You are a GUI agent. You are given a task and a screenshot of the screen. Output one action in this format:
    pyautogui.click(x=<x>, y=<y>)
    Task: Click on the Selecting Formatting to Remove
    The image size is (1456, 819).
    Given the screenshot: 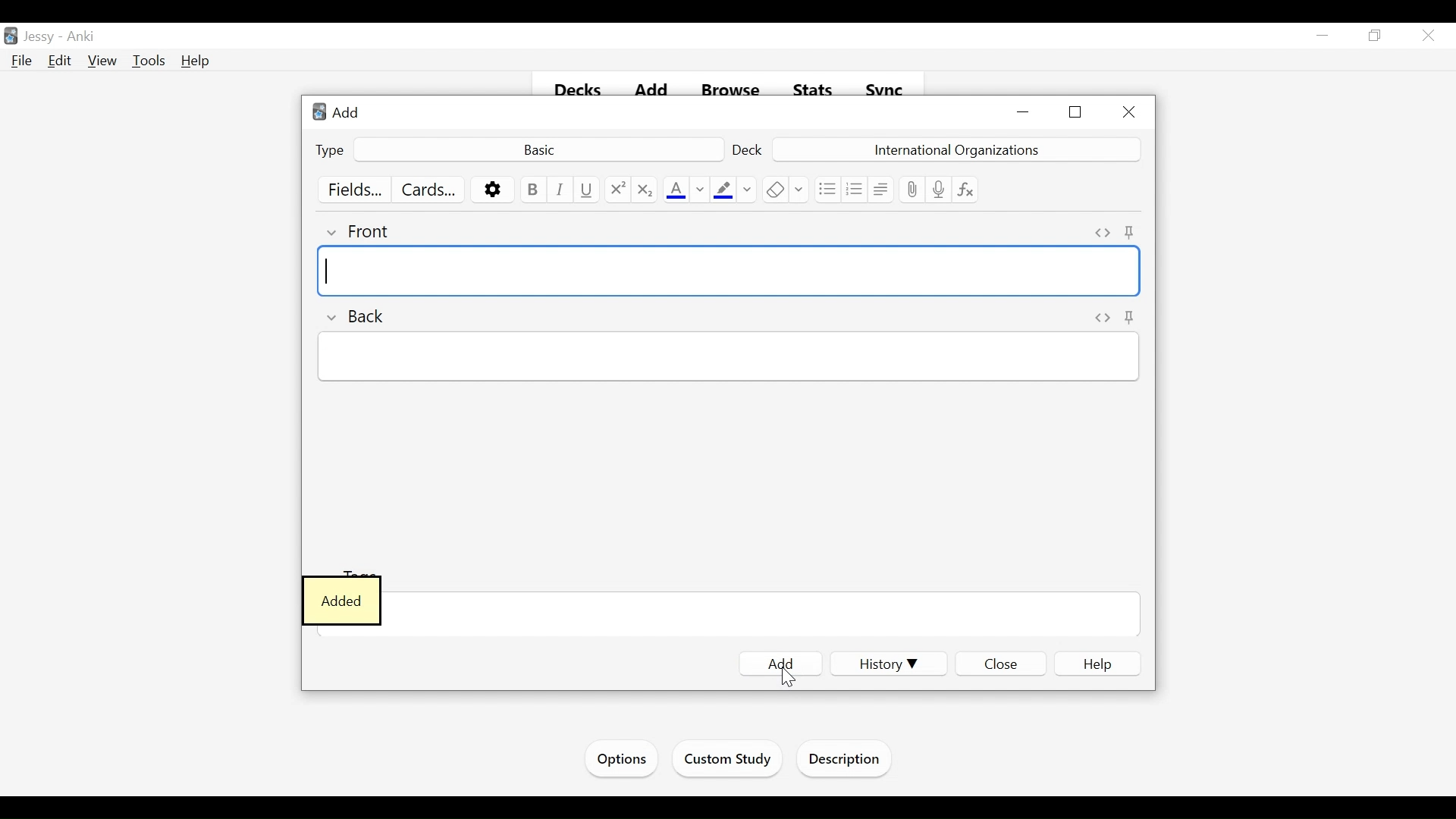 What is the action you would take?
    pyautogui.click(x=799, y=189)
    